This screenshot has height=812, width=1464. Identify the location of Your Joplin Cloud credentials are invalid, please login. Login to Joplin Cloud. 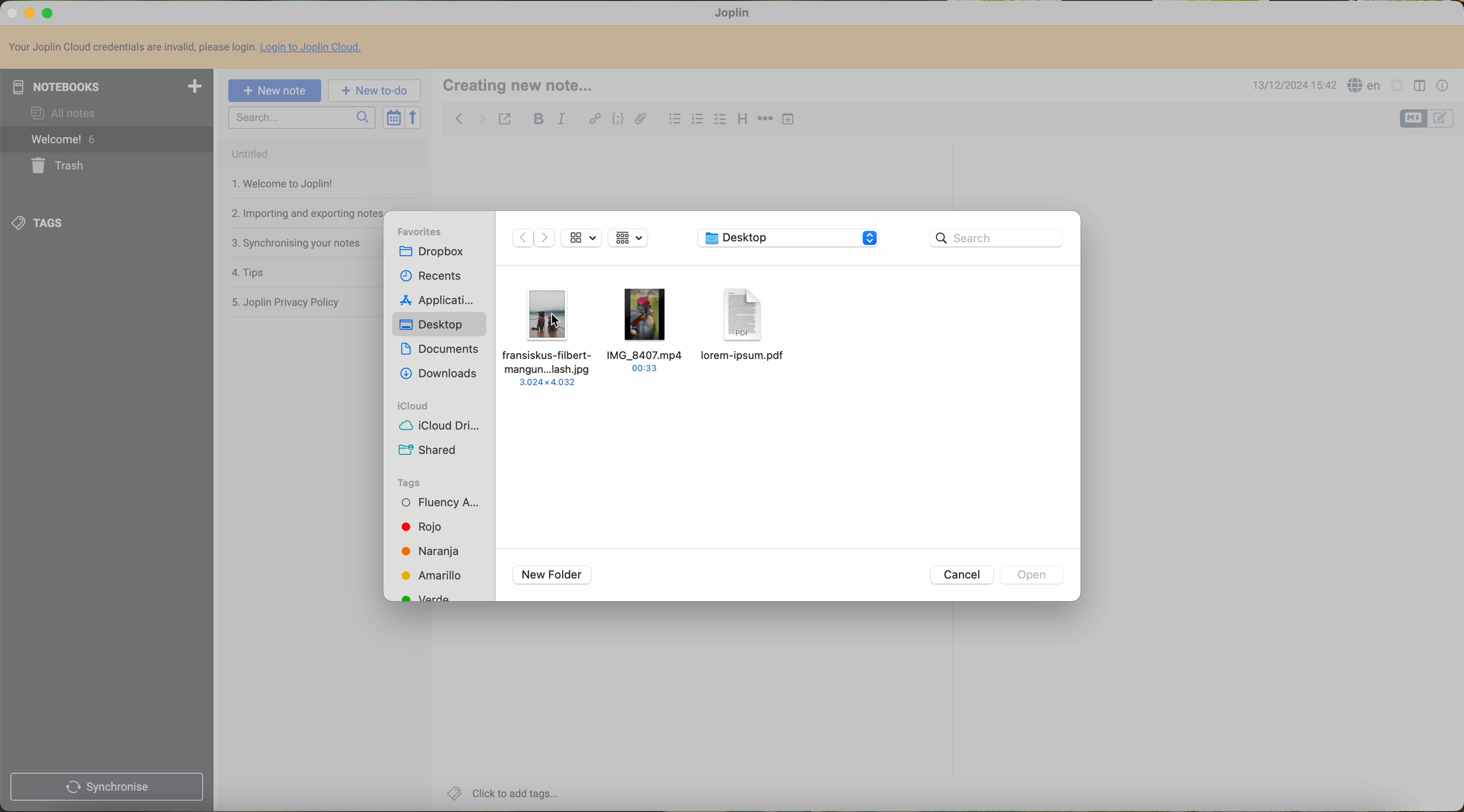
(190, 48).